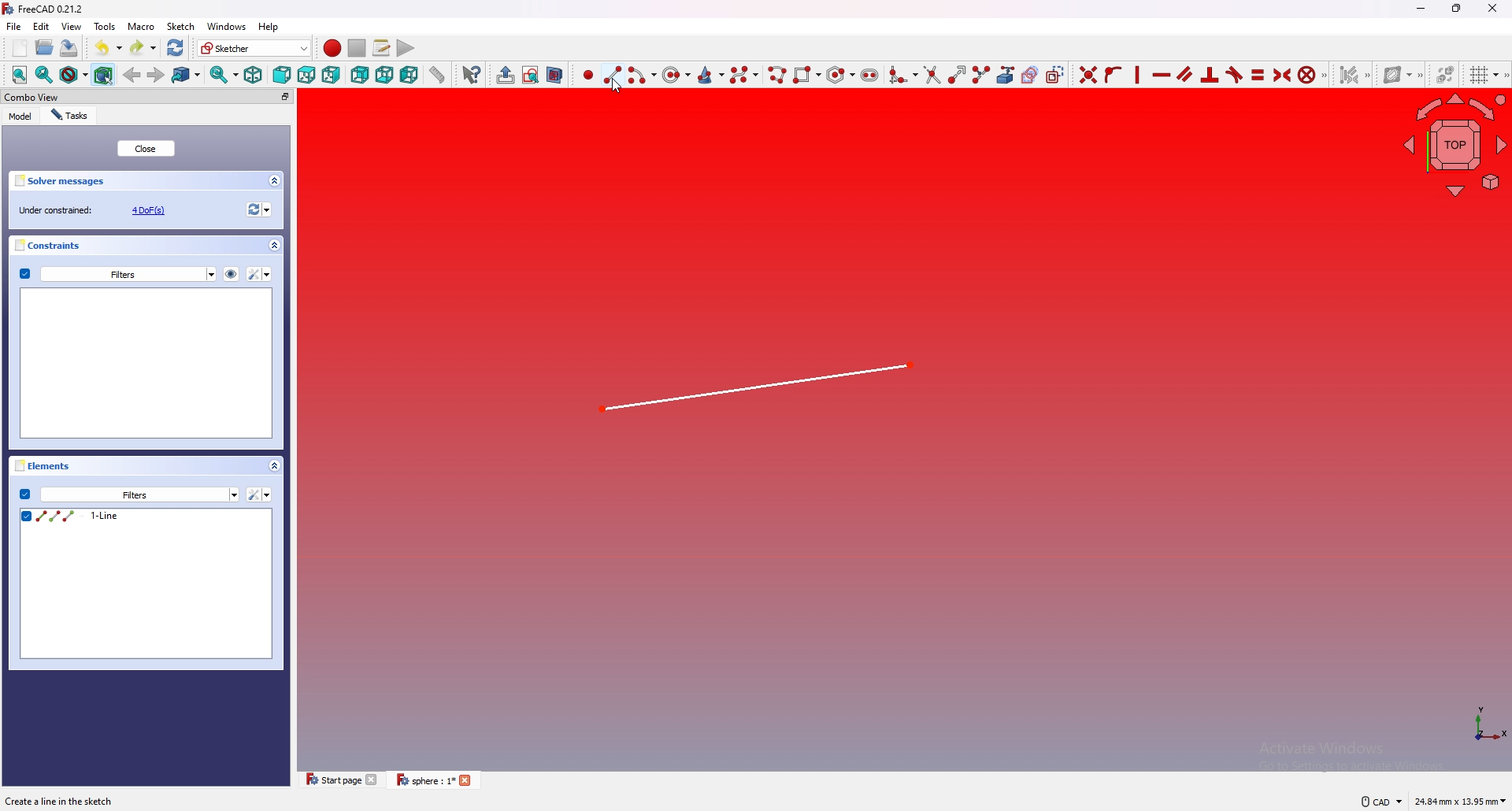 This screenshot has height=811, width=1512. Describe the element at coordinates (1458, 8) in the screenshot. I see `Restore down` at that location.